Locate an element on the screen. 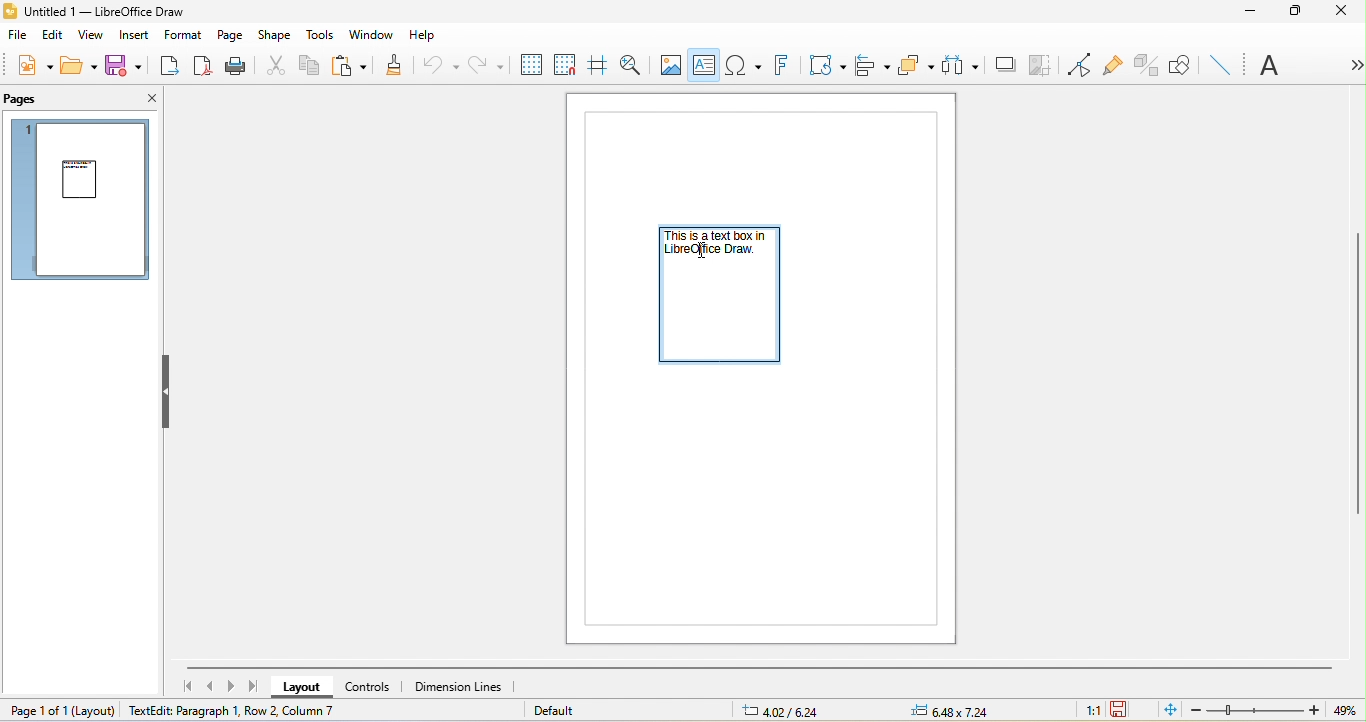 The height and width of the screenshot is (722, 1366). save is located at coordinates (129, 68).